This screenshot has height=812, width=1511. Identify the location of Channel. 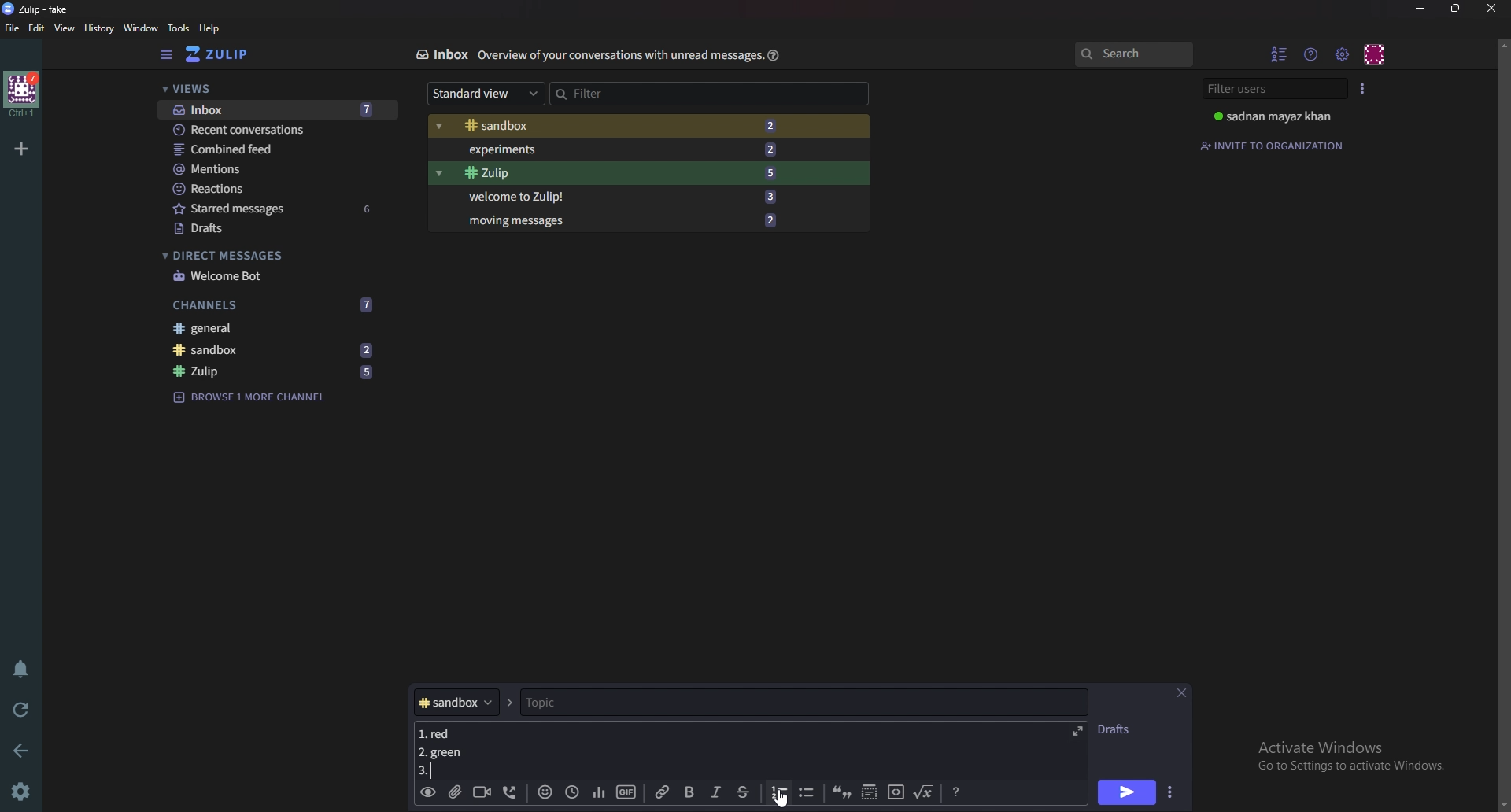
(455, 703).